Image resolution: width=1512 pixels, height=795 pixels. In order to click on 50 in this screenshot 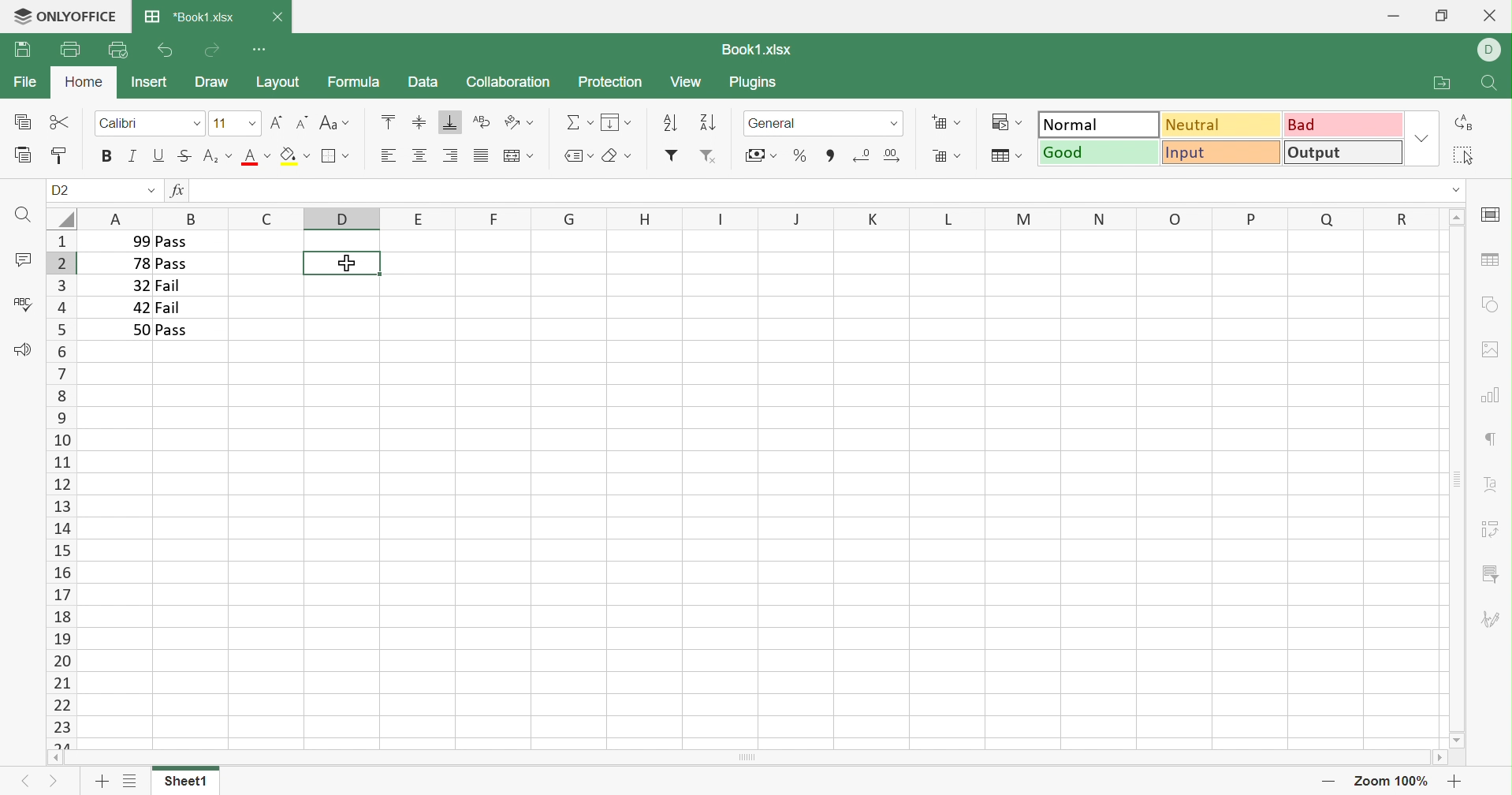, I will do `click(139, 330)`.